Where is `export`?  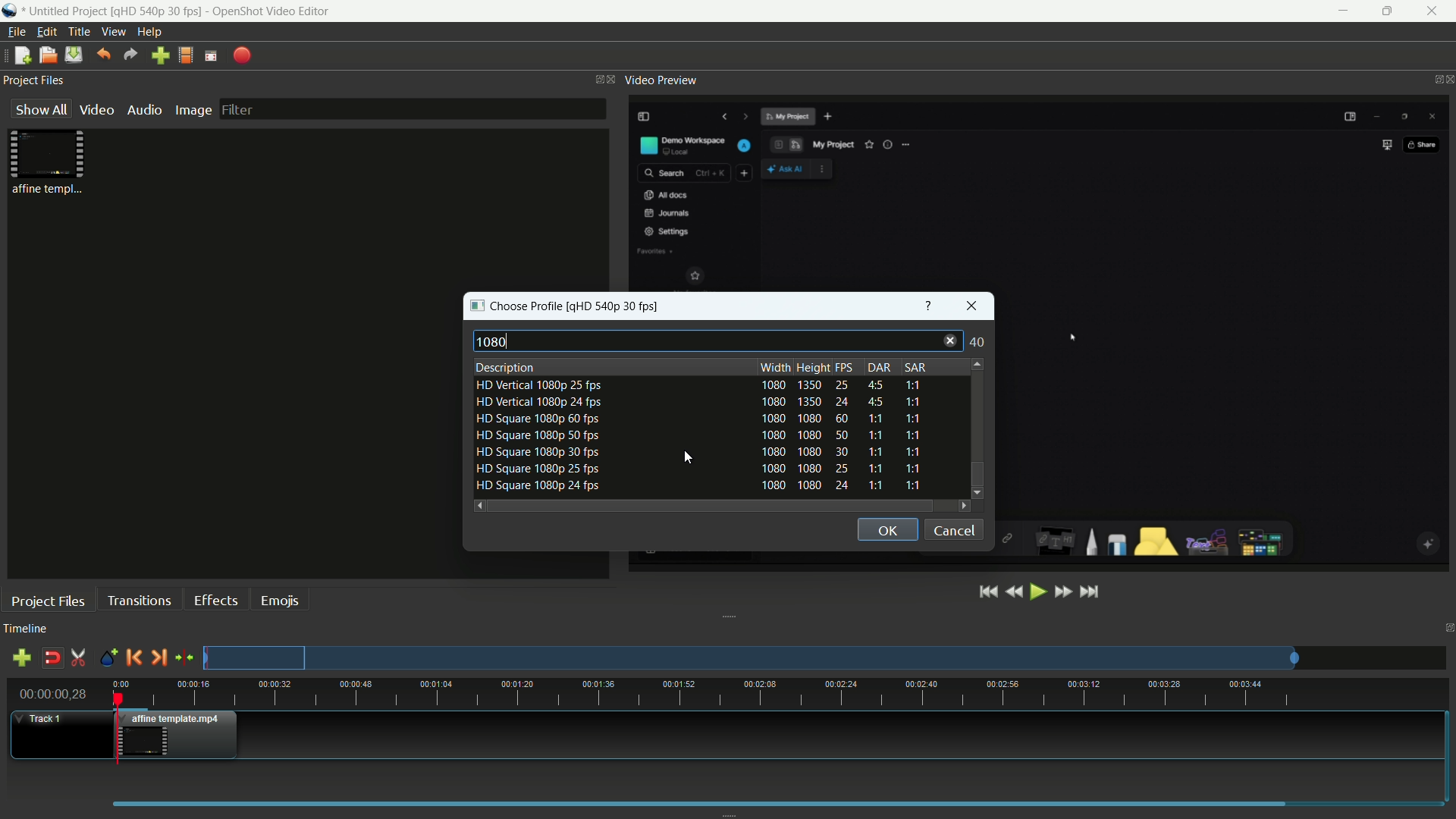 export is located at coordinates (240, 57).